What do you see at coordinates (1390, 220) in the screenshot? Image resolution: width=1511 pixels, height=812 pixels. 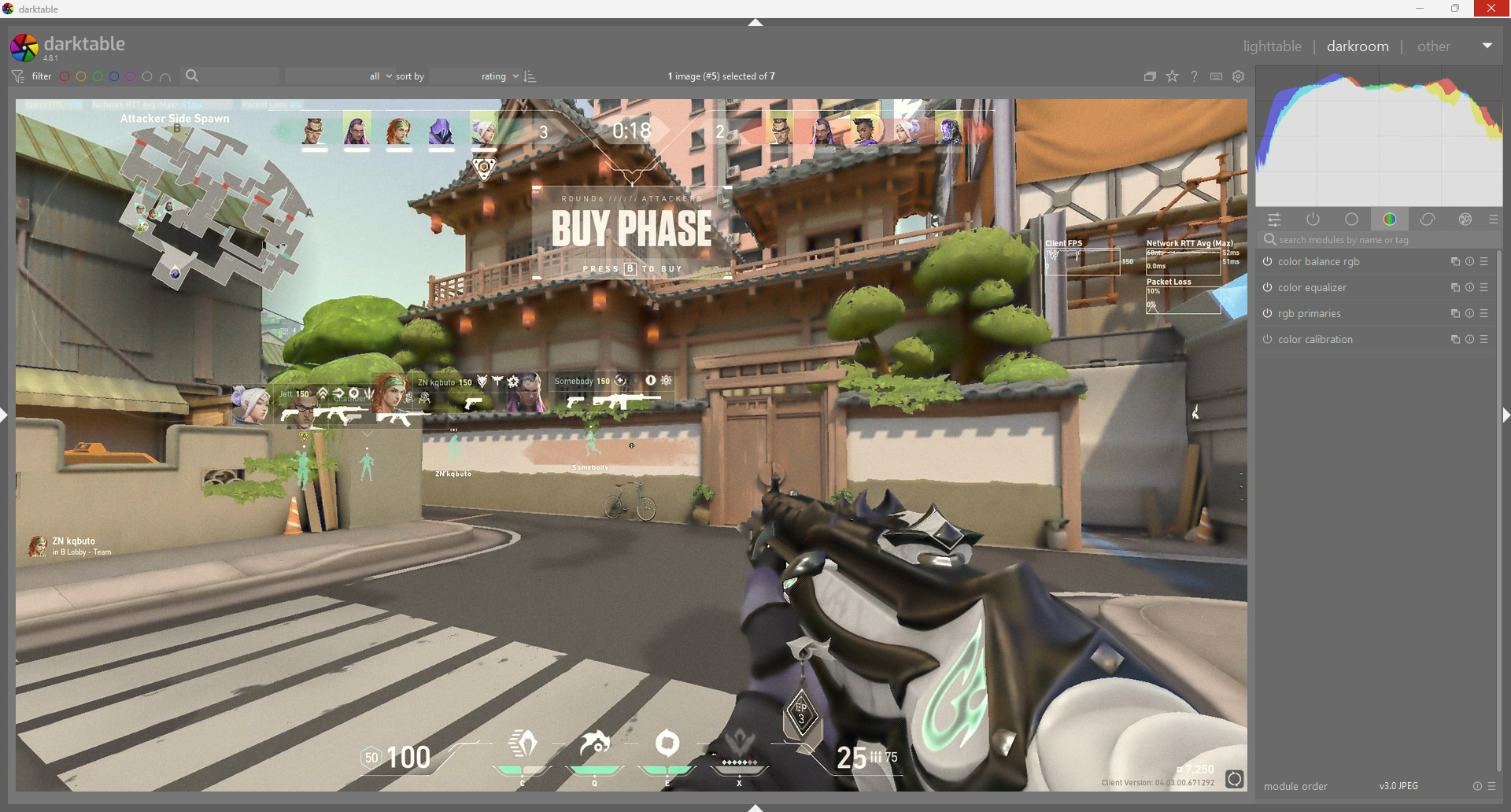 I see `color` at bounding box center [1390, 220].